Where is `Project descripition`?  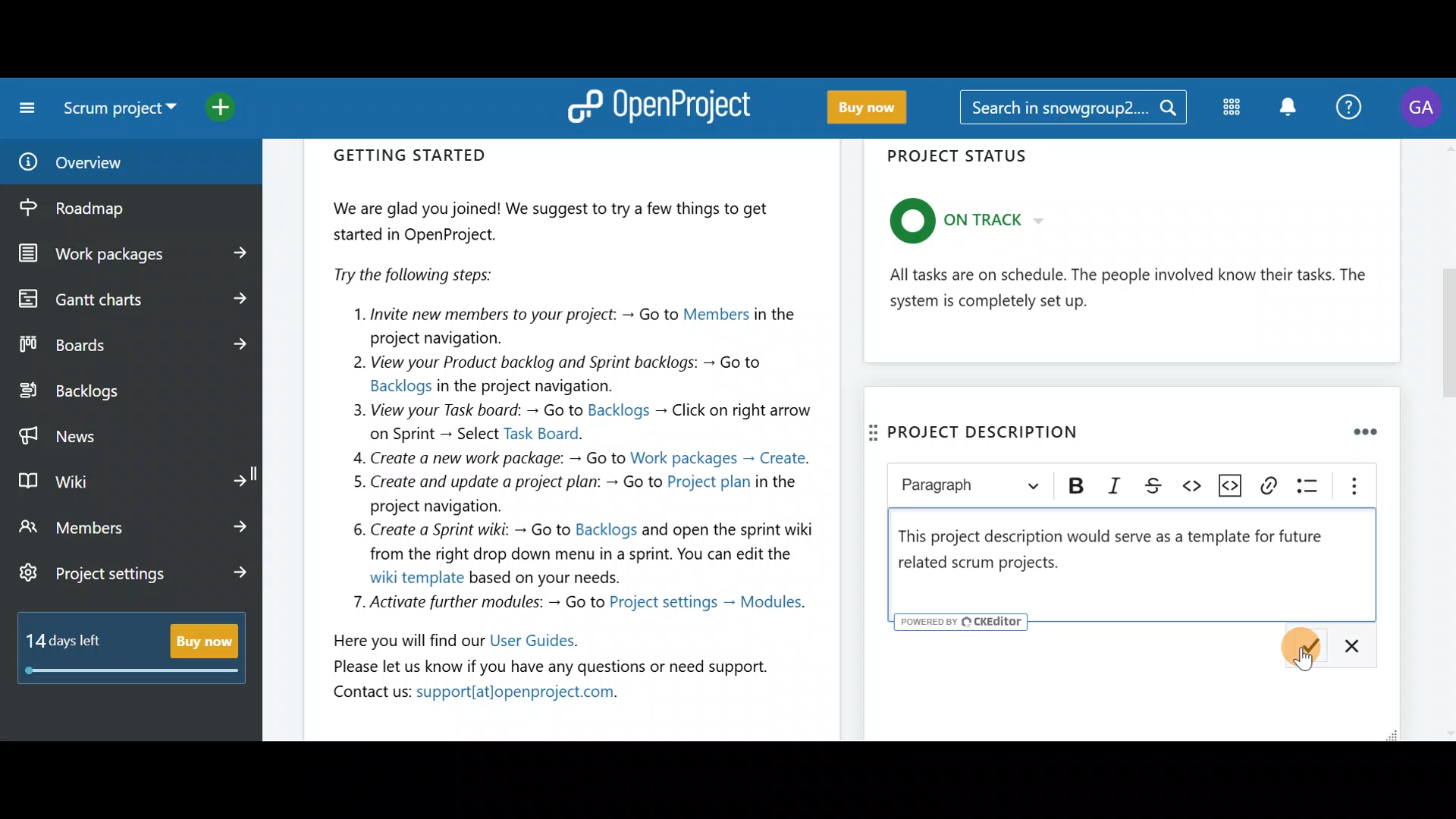 Project descripition is located at coordinates (988, 429).